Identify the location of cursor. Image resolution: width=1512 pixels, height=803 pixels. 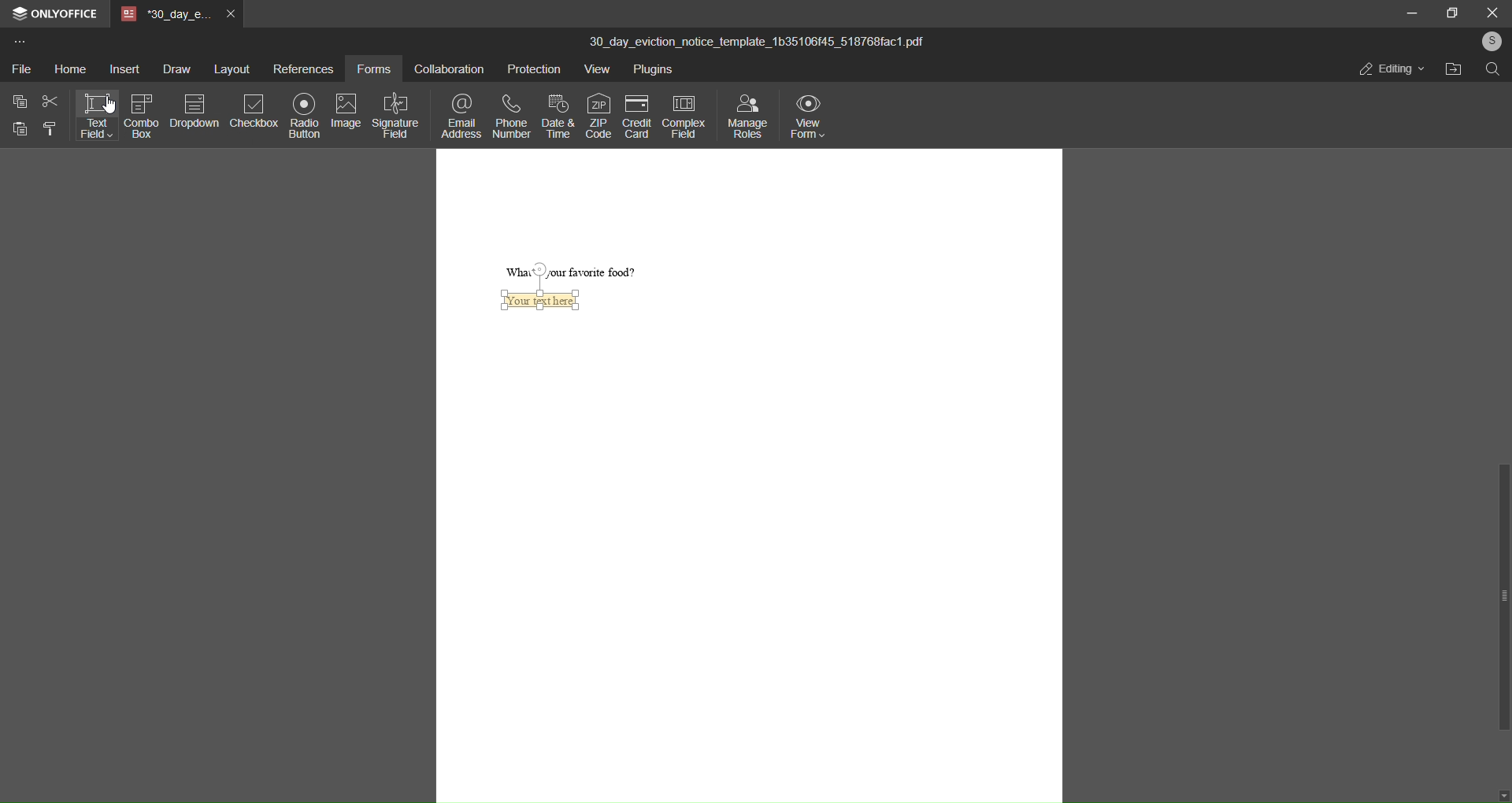
(113, 104).